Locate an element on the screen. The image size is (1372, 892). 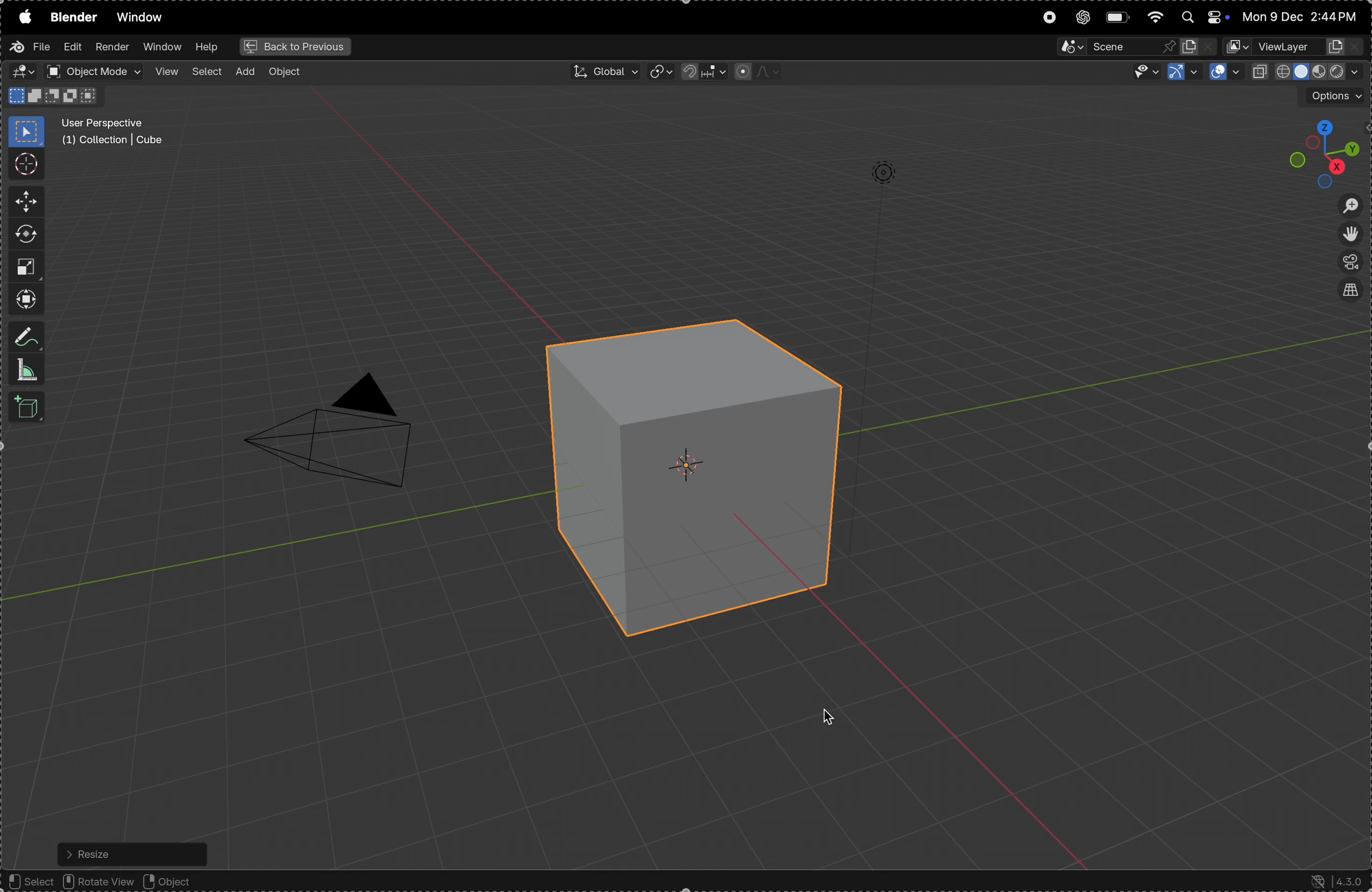
object mode is located at coordinates (95, 71).